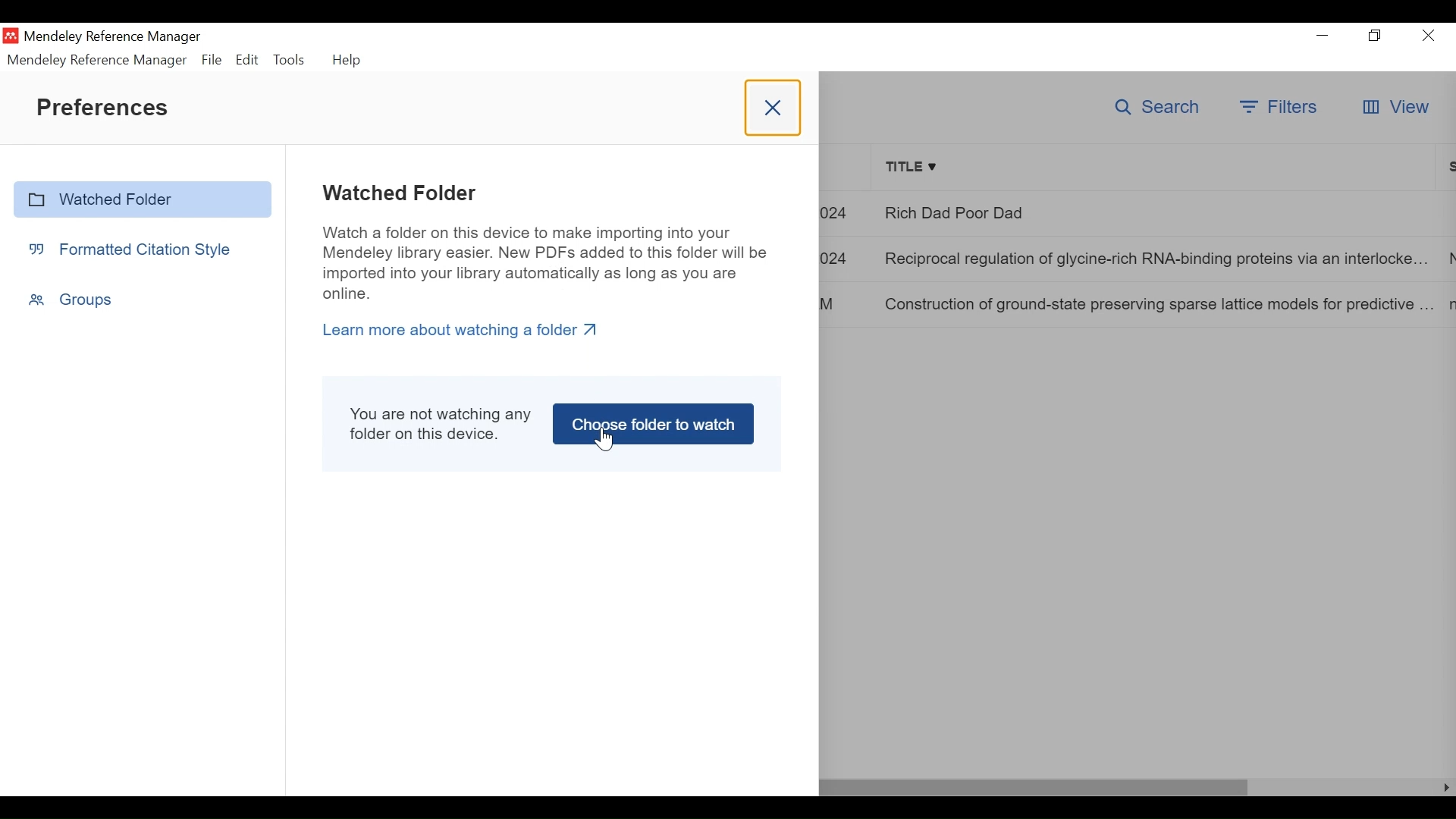 This screenshot has height=819, width=1456. Describe the element at coordinates (80, 300) in the screenshot. I see `Groups` at that location.